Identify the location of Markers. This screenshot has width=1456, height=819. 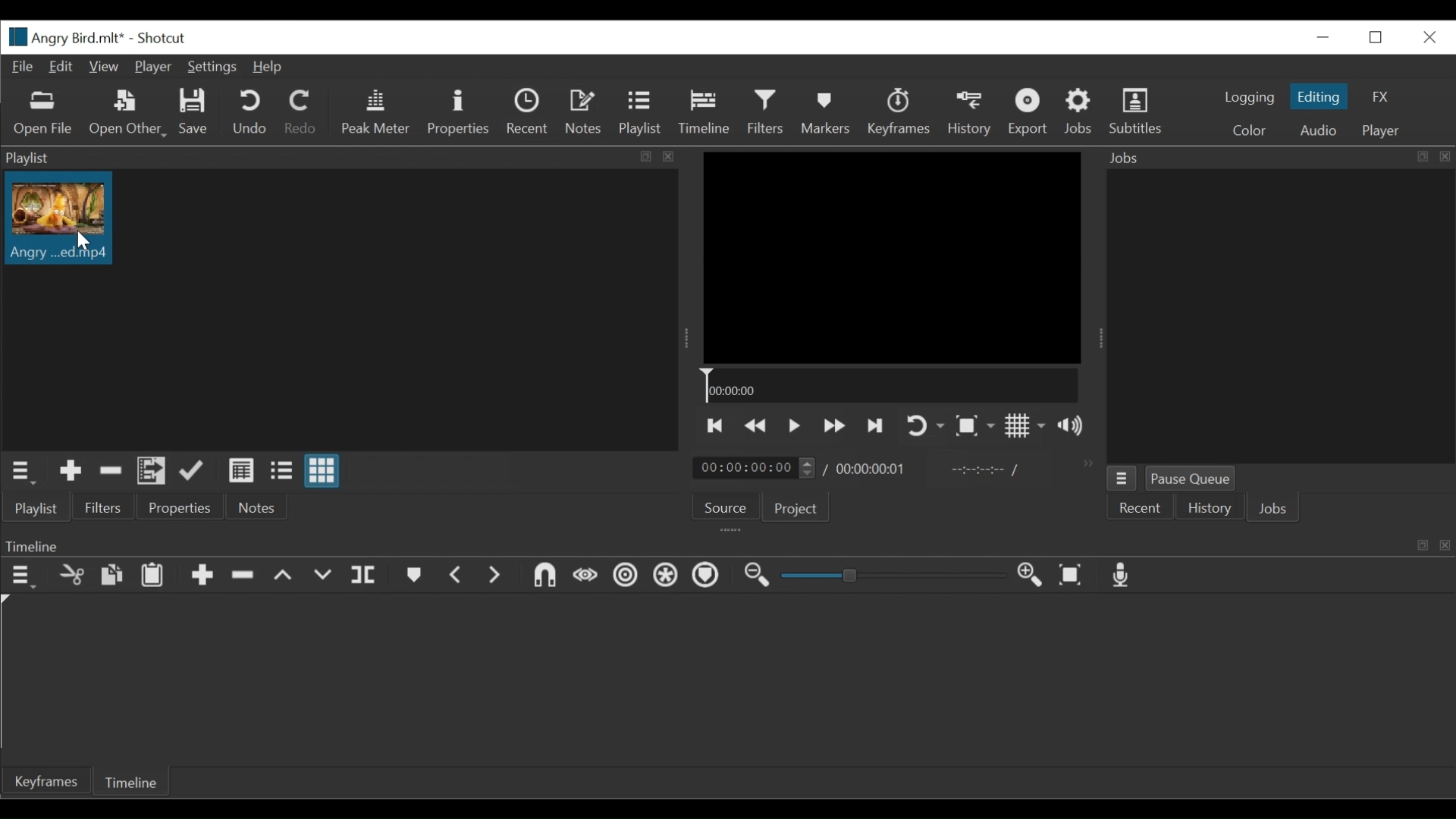
(827, 112).